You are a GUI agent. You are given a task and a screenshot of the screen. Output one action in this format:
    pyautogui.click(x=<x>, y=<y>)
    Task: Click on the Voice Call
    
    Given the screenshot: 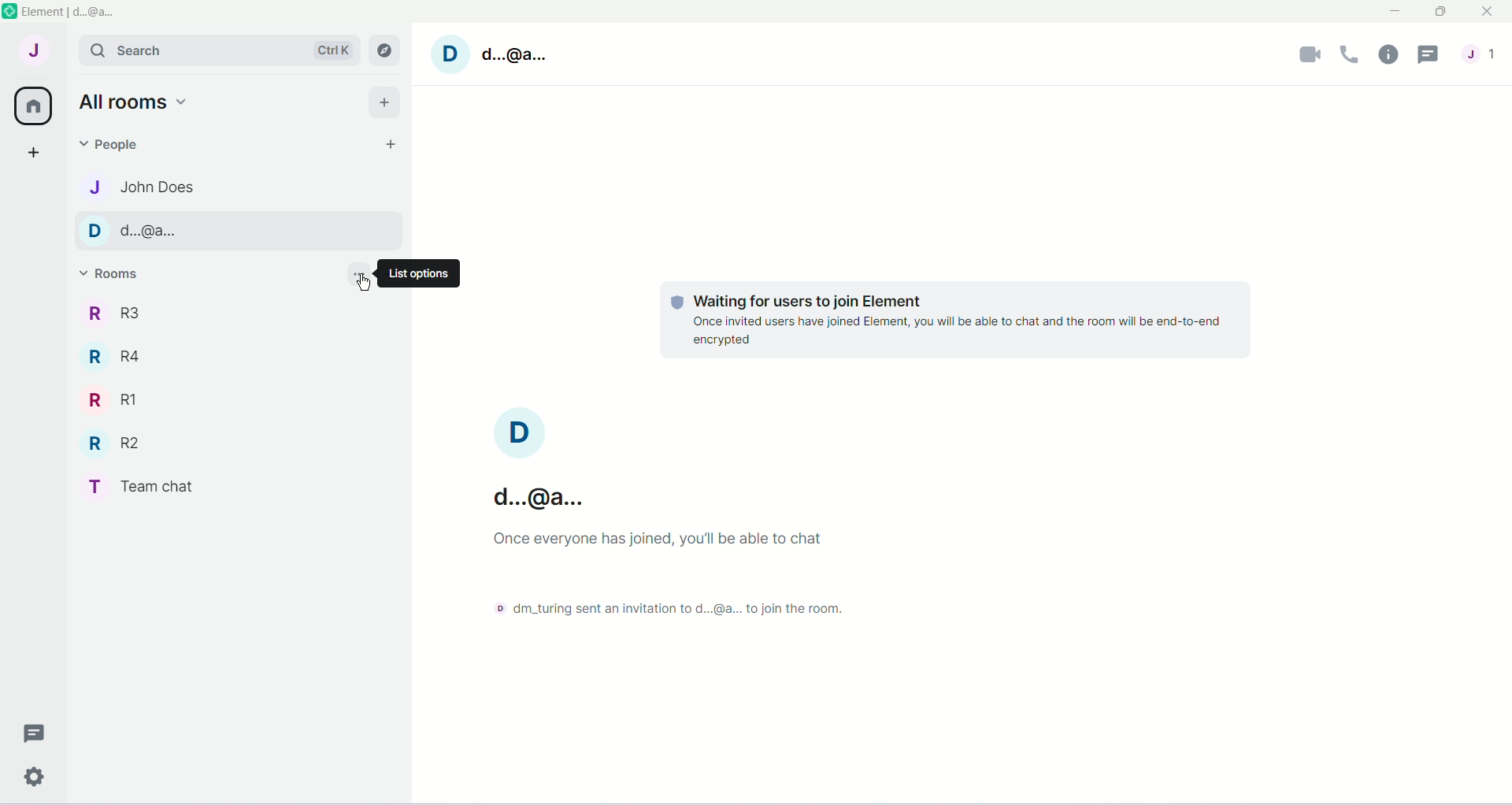 What is the action you would take?
    pyautogui.click(x=1350, y=54)
    